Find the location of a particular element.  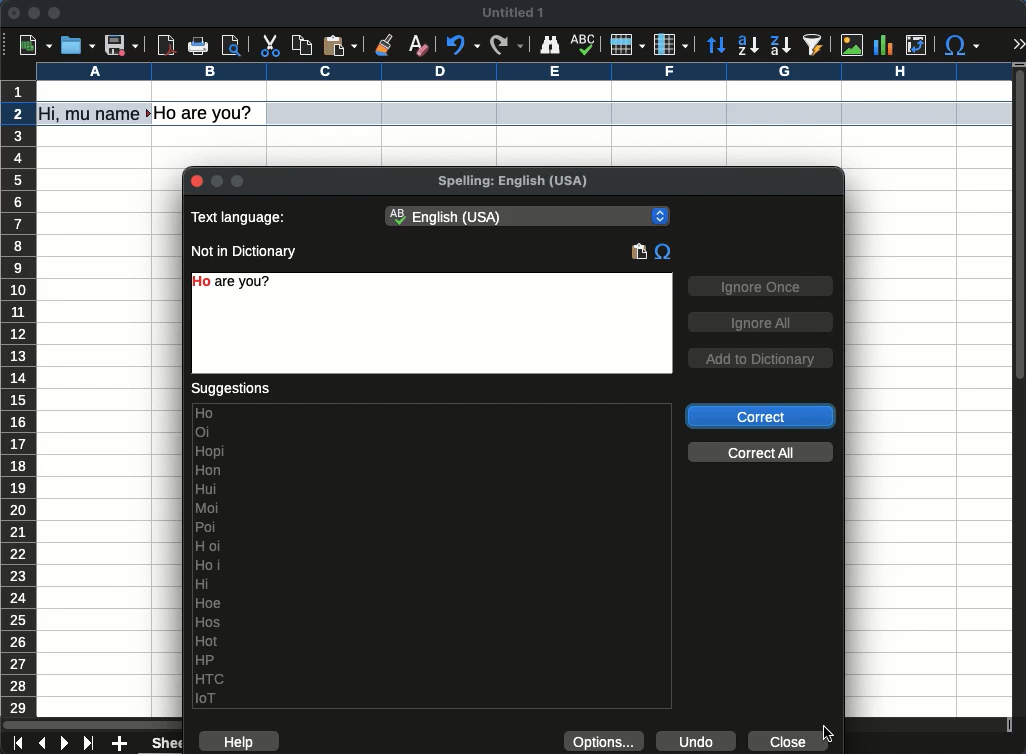

cursor is located at coordinates (828, 734).